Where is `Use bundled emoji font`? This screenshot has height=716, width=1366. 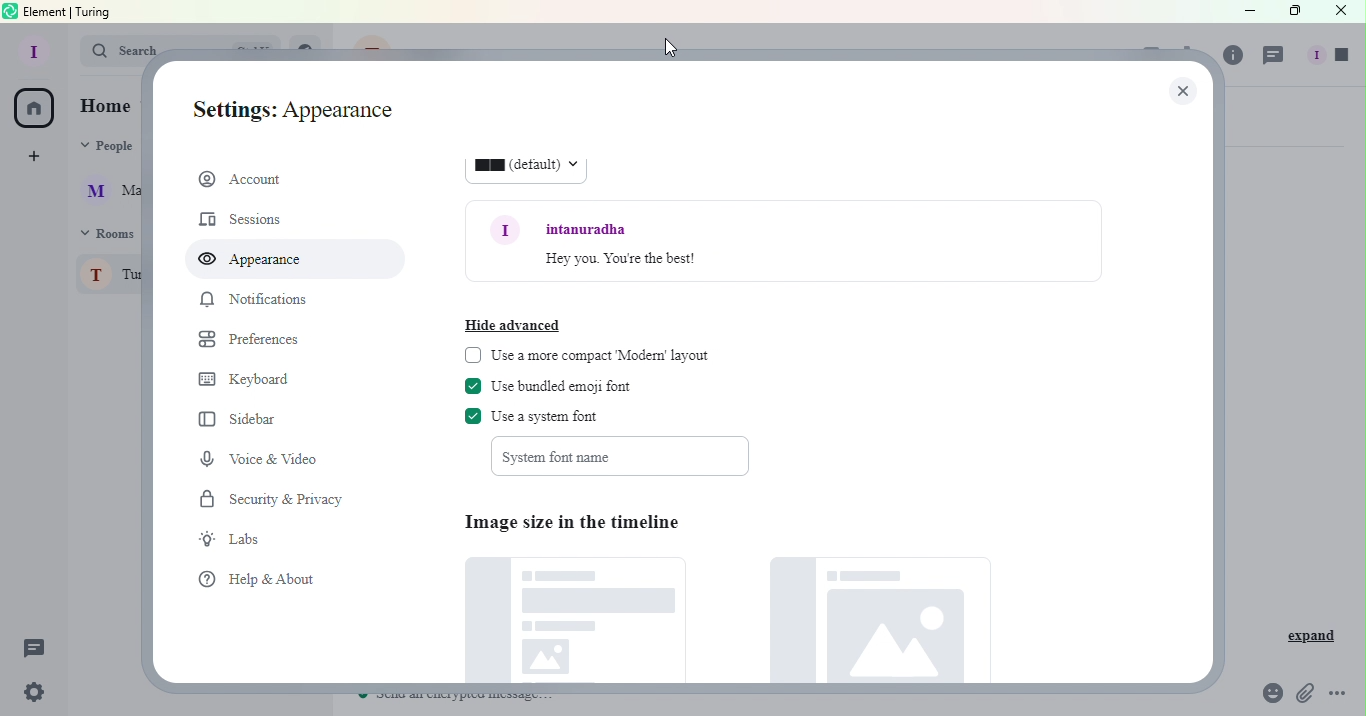 Use bundled emoji font is located at coordinates (576, 387).